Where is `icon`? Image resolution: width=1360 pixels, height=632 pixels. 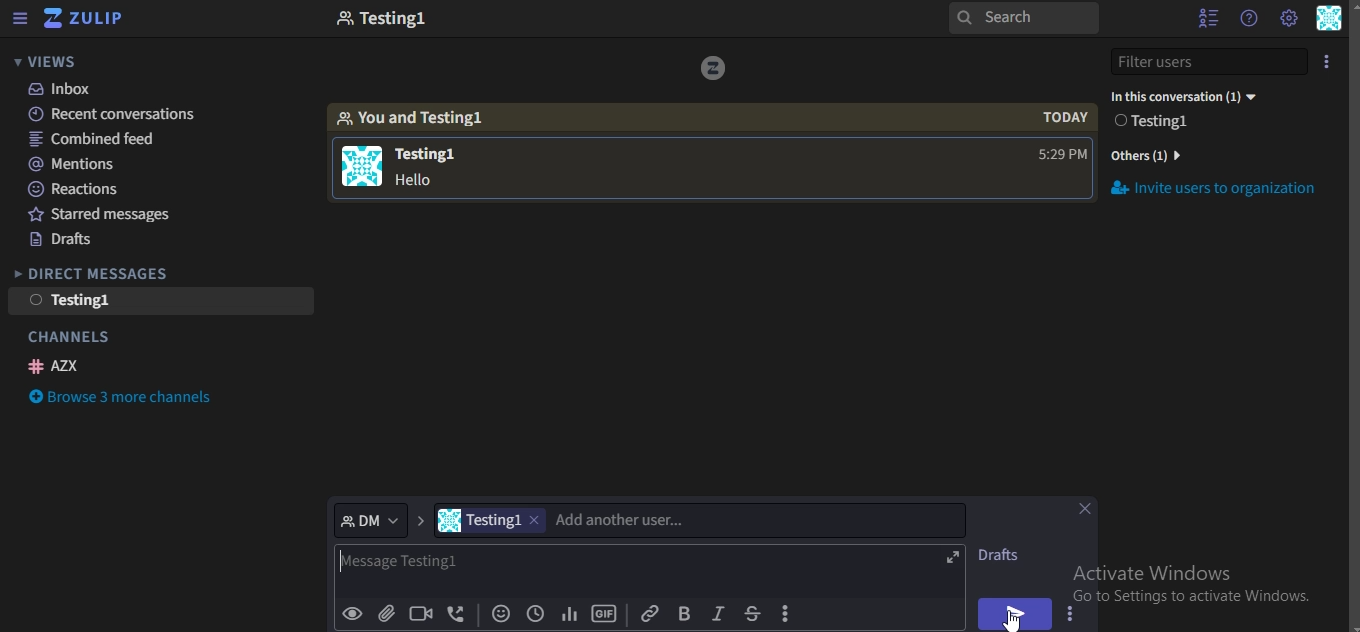 icon is located at coordinates (1328, 60).